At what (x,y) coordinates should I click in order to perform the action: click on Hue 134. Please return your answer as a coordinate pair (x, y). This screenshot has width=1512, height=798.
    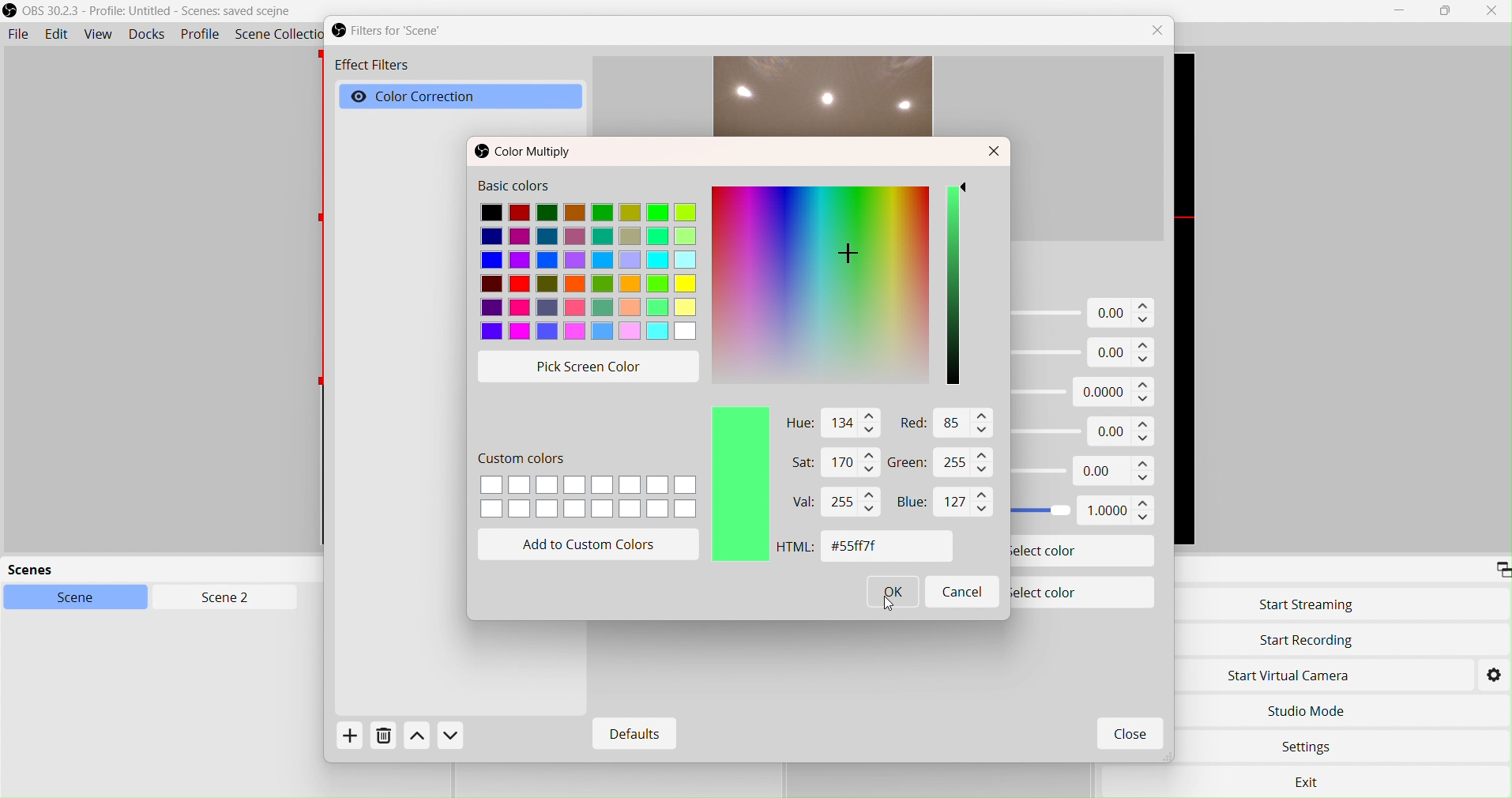
    Looking at the image, I should click on (829, 423).